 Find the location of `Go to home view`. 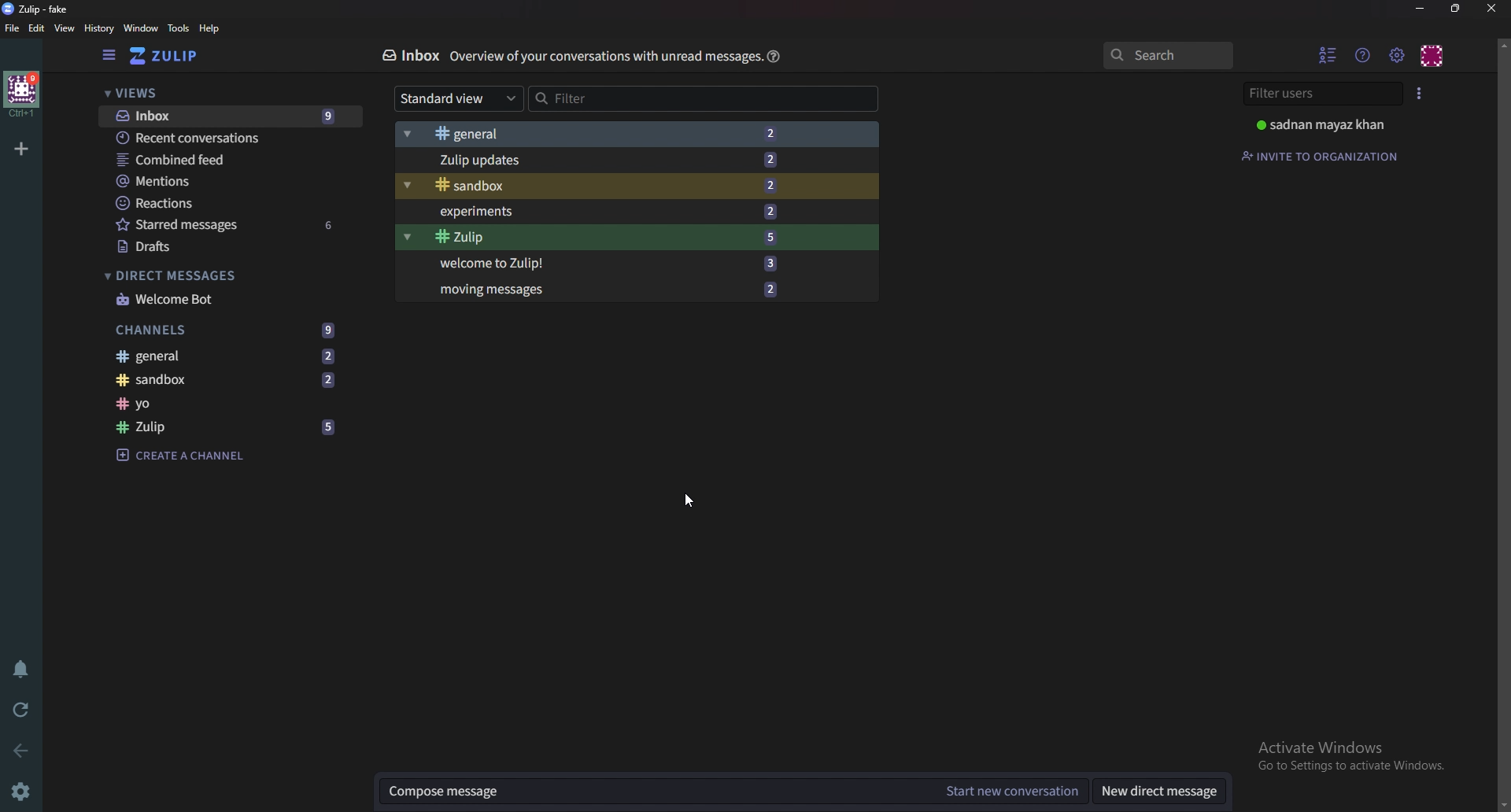

Go to home view is located at coordinates (168, 57).